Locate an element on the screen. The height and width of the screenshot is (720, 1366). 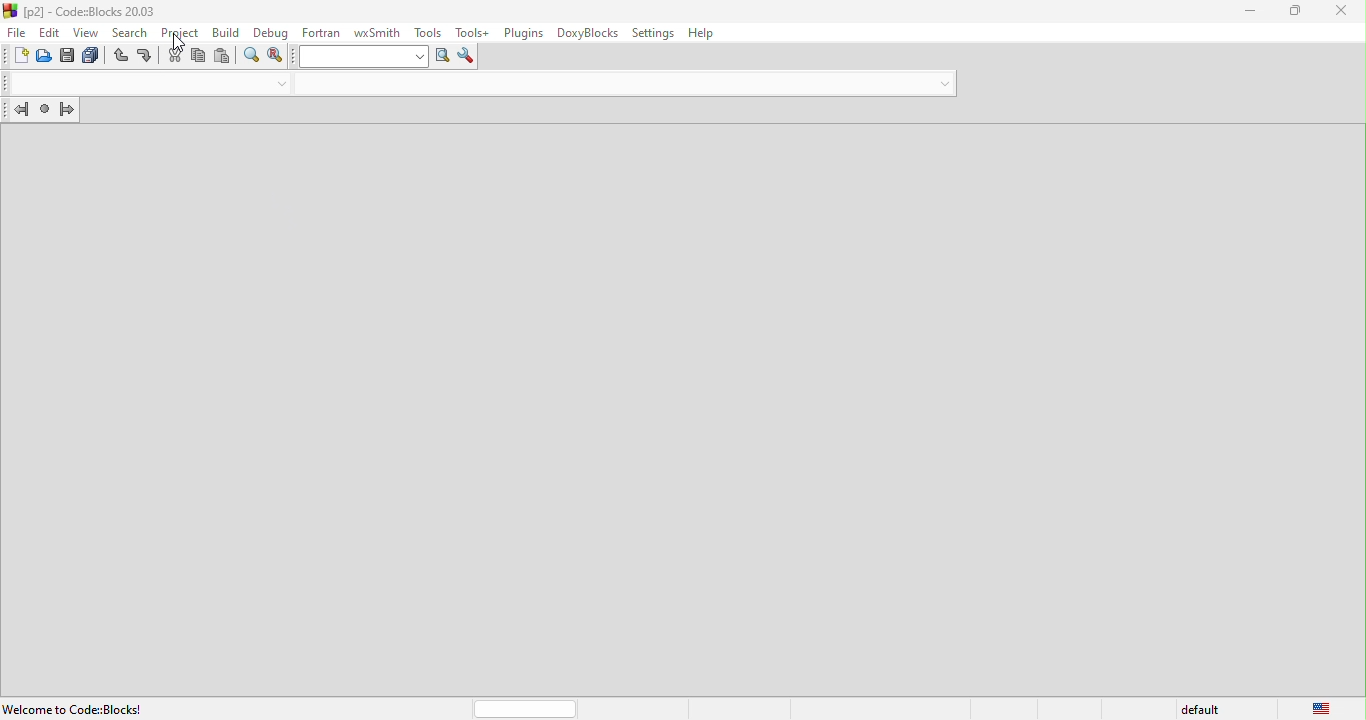
find is located at coordinates (252, 58).